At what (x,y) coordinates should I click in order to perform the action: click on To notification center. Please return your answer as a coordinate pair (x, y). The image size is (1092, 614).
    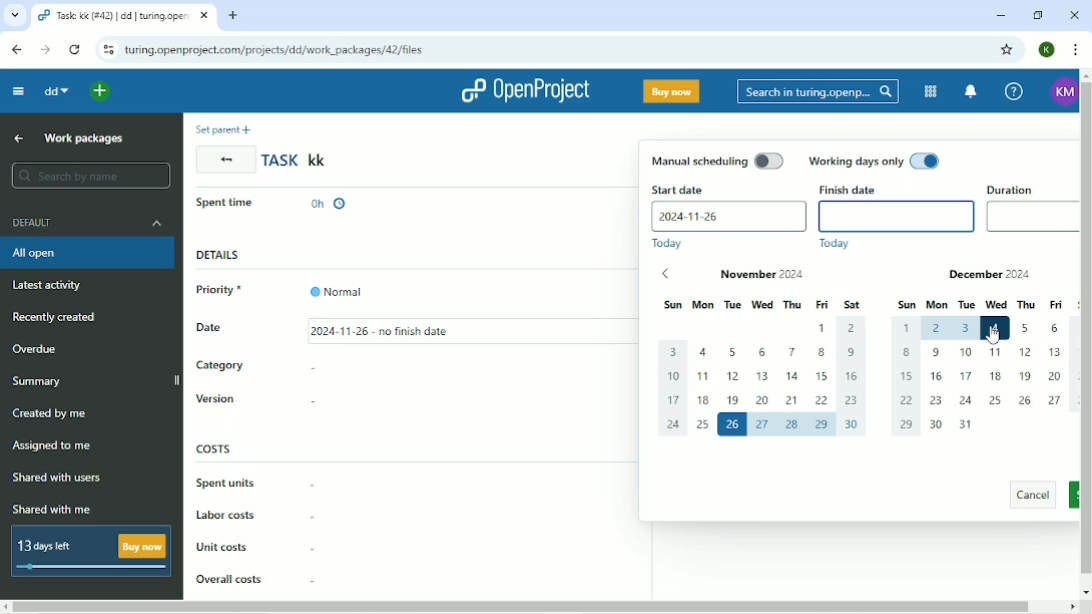
    Looking at the image, I should click on (970, 93).